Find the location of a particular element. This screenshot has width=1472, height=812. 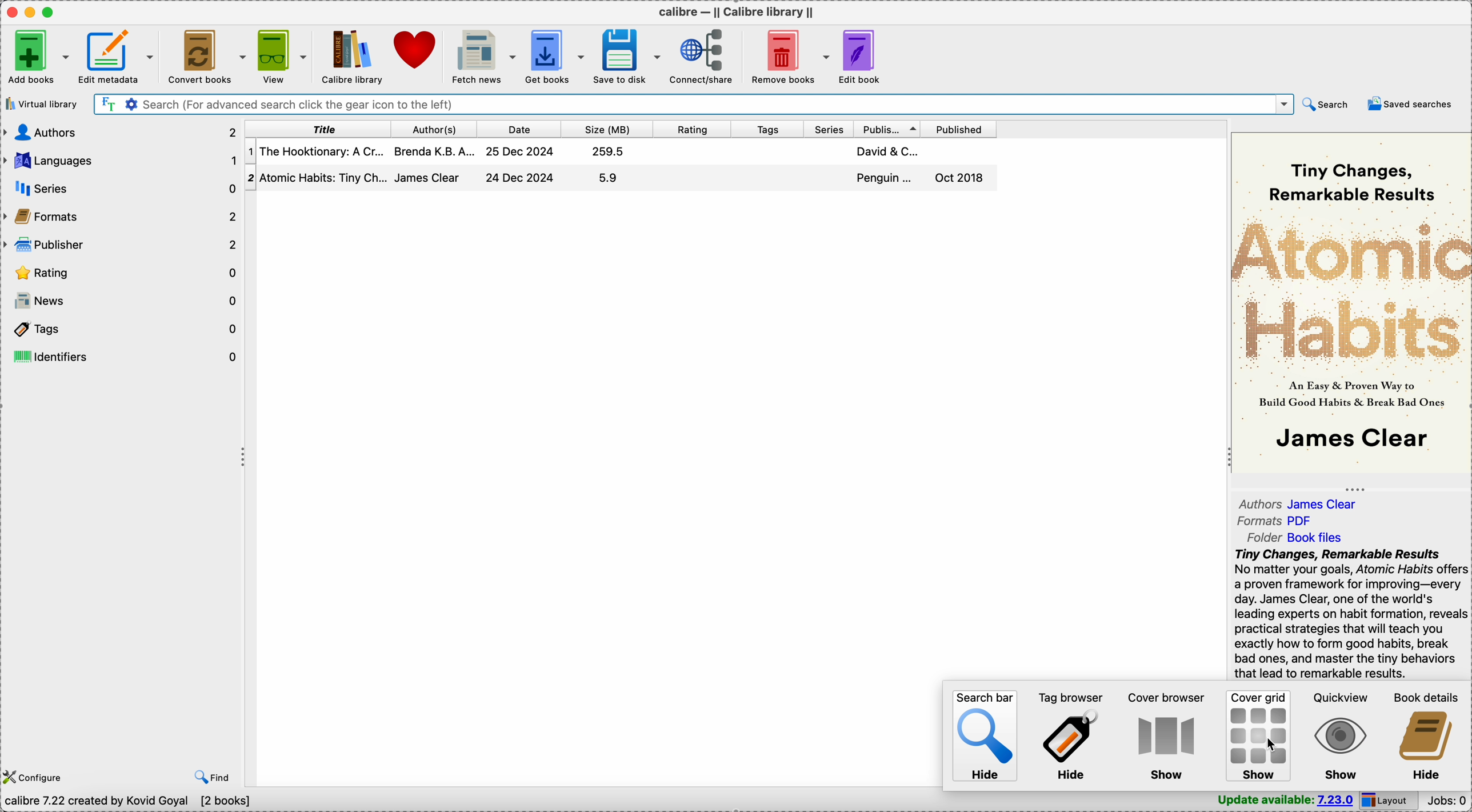

drop down is located at coordinates (1285, 104).